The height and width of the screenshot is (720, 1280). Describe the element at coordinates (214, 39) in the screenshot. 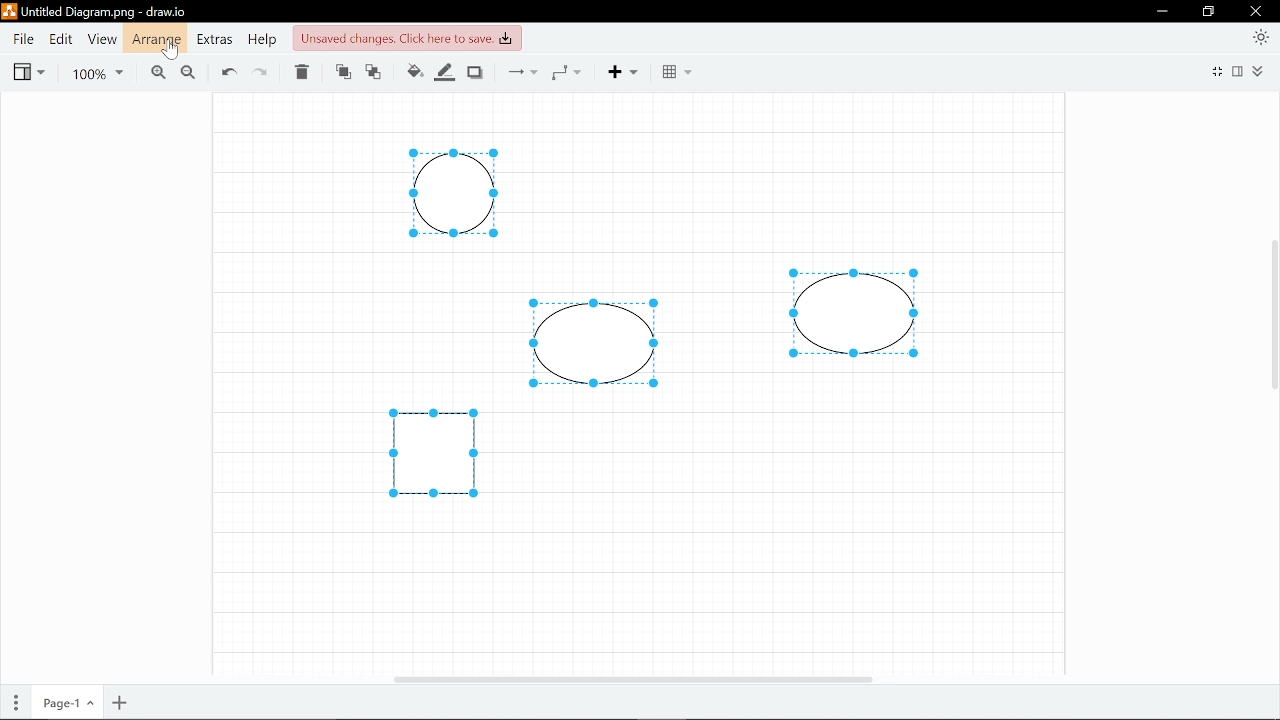

I see `Extras` at that location.